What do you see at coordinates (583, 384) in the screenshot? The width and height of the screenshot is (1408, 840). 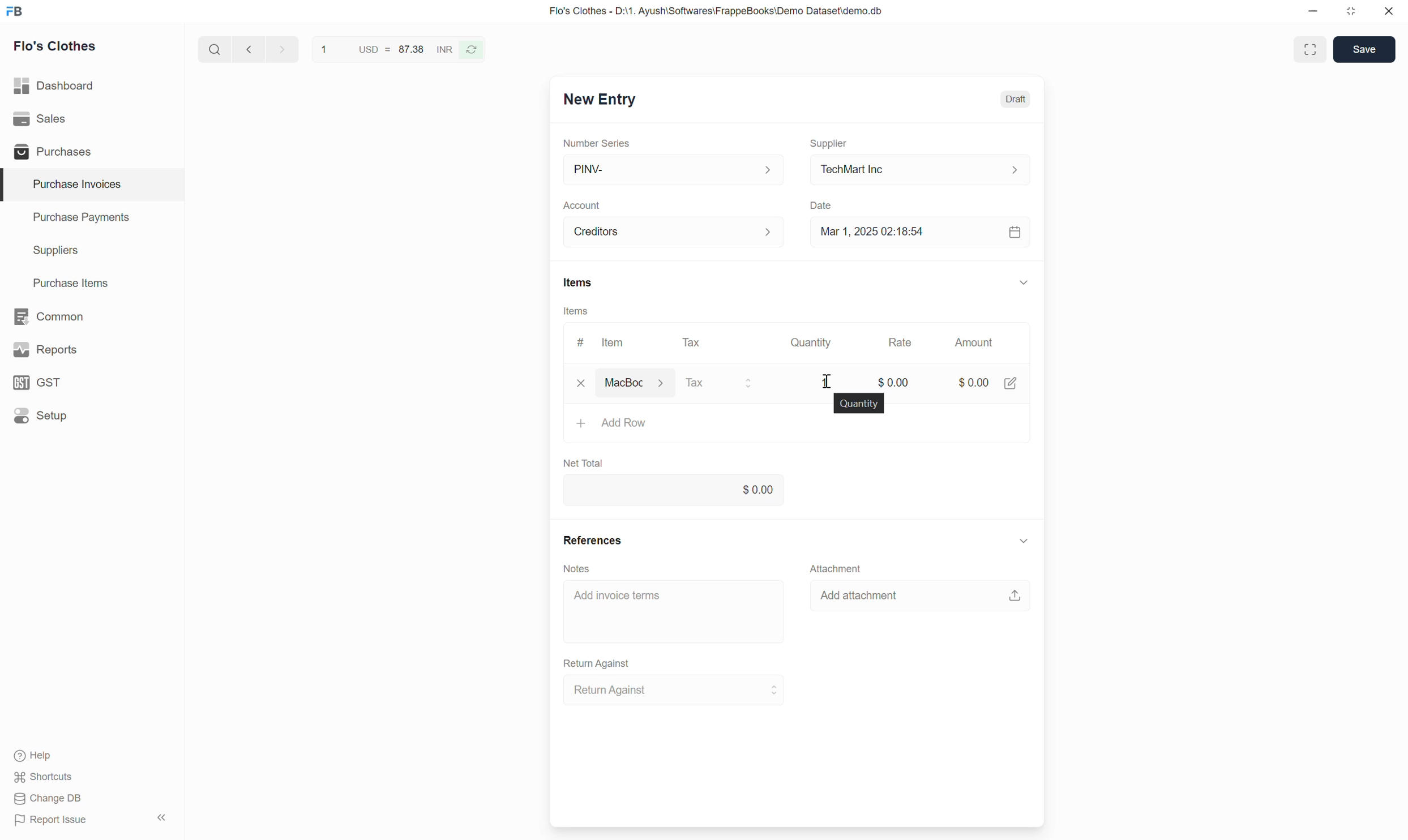 I see `clear/remove input` at bounding box center [583, 384].